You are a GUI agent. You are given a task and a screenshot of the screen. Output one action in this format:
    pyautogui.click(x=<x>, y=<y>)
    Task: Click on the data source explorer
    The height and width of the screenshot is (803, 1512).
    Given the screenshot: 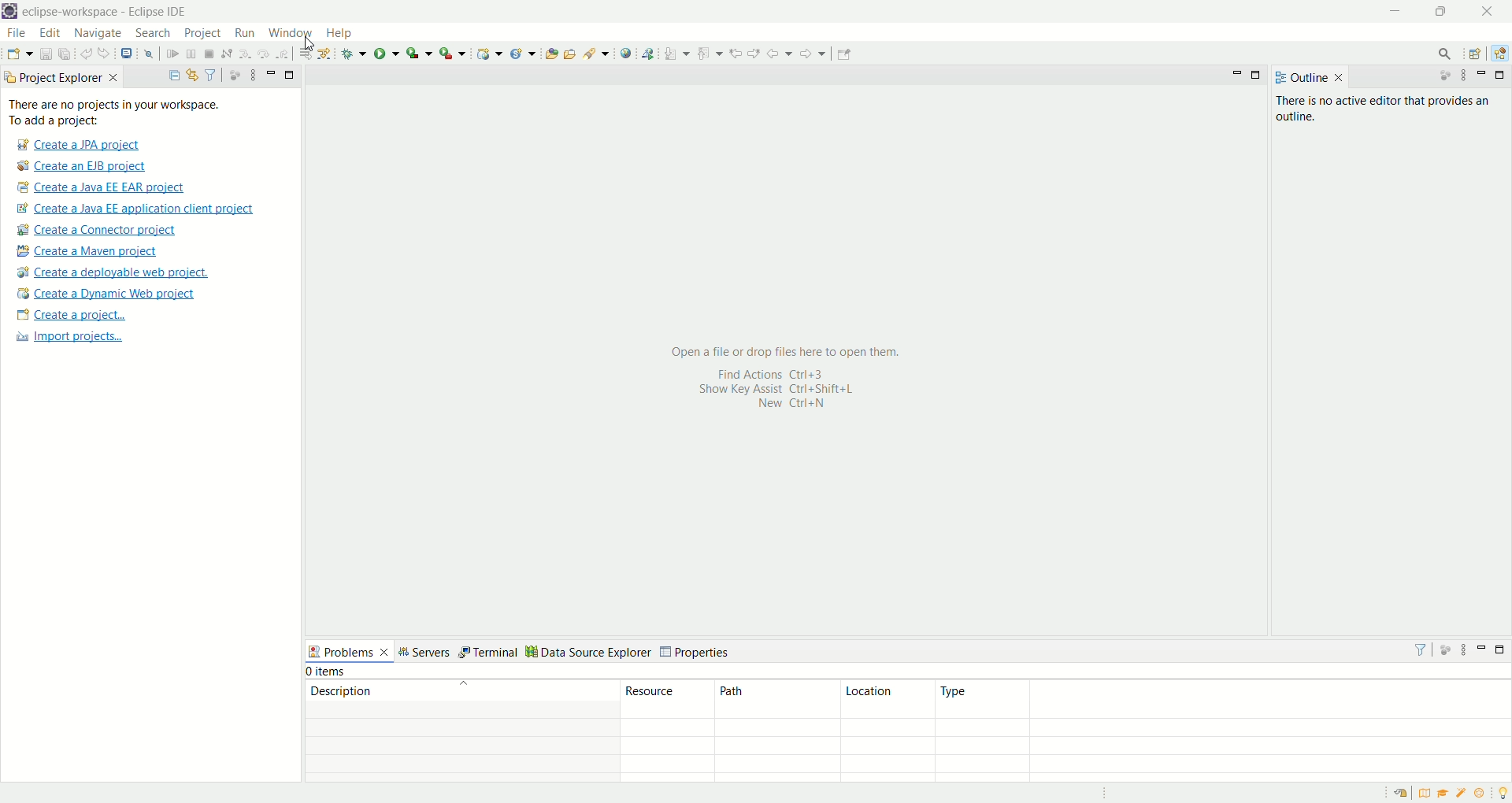 What is the action you would take?
    pyautogui.click(x=587, y=649)
    